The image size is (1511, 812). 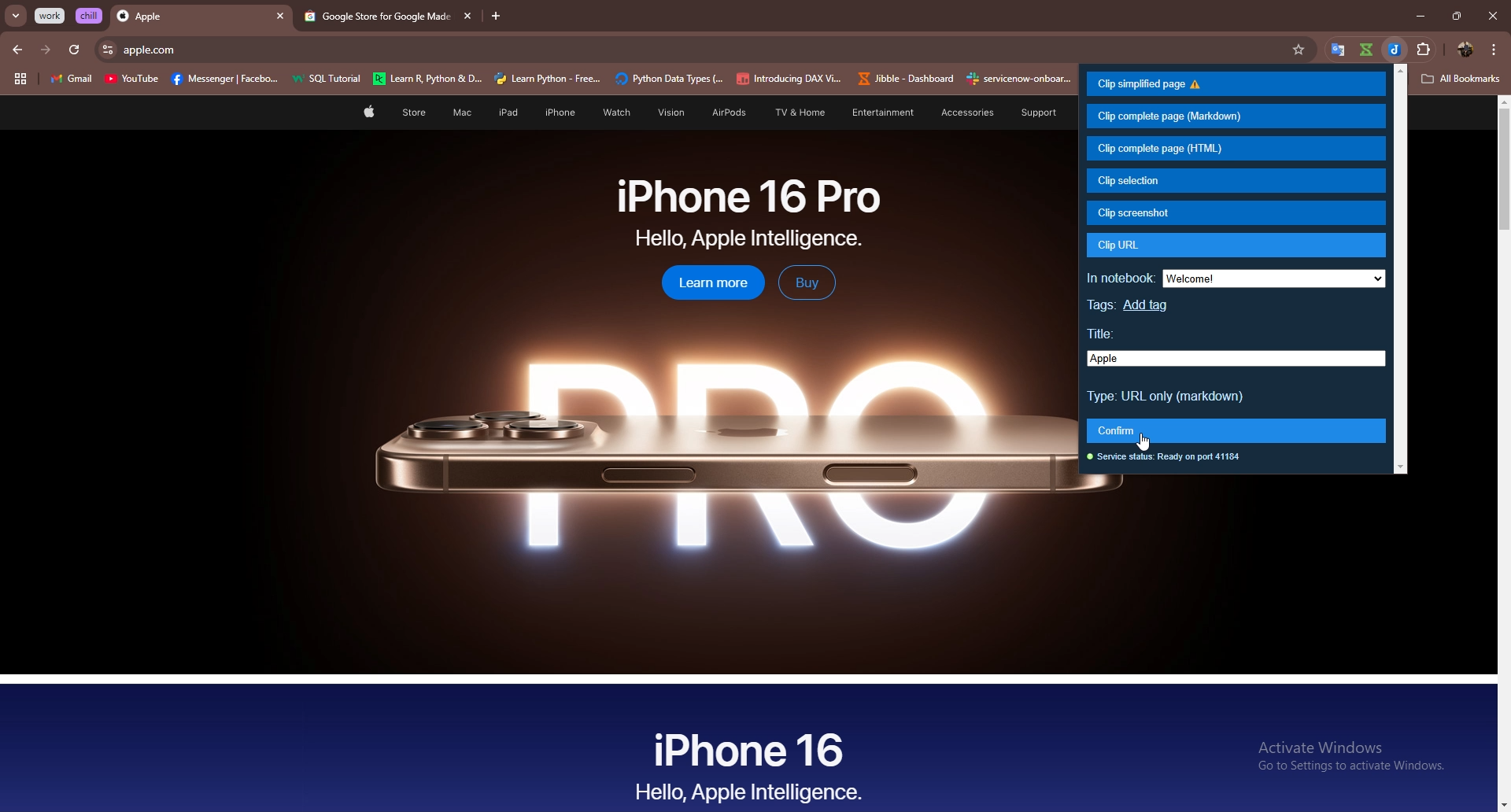 What do you see at coordinates (1431, 46) in the screenshot?
I see `extension` at bounding box center [1431, 46].